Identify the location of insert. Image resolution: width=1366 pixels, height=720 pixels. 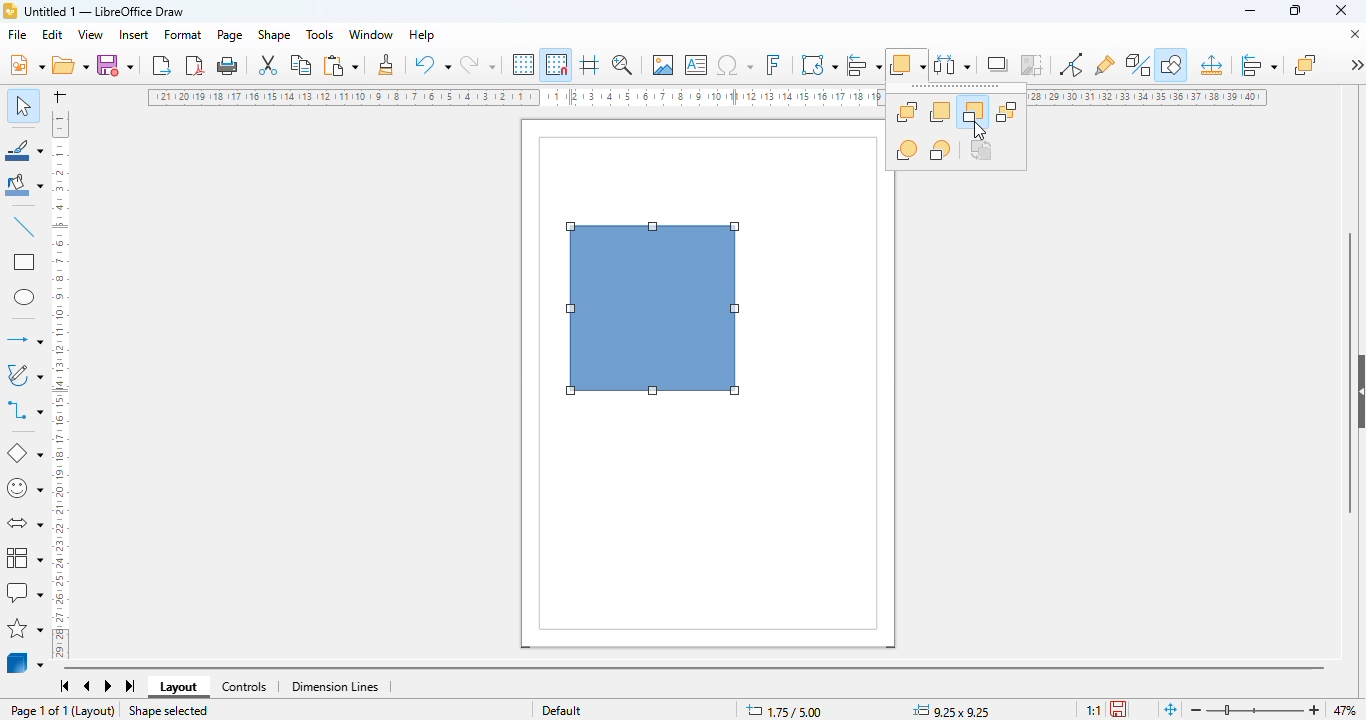
(134, 35).